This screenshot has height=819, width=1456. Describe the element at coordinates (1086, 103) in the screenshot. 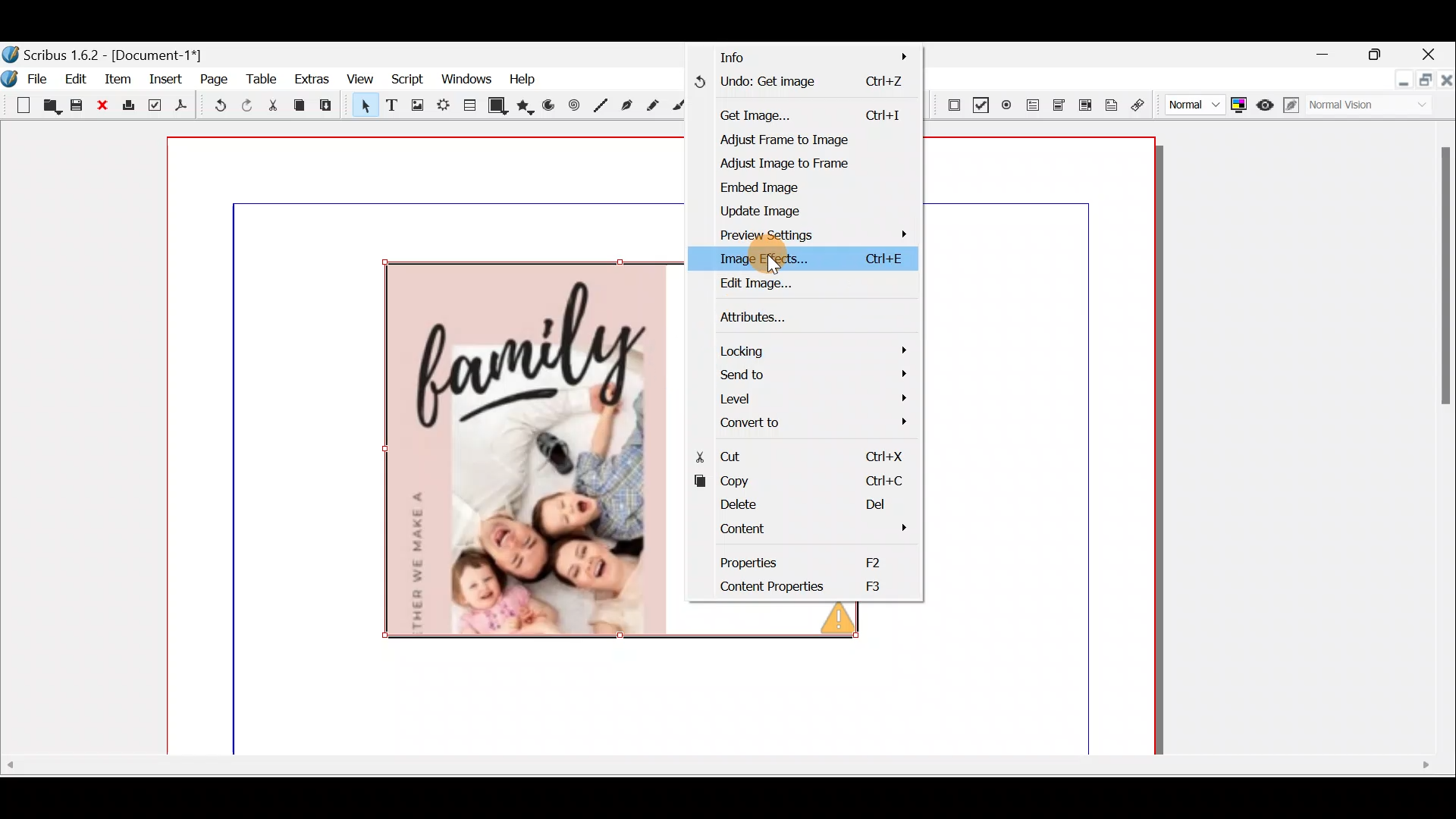

I see `PDF List box` at that location.